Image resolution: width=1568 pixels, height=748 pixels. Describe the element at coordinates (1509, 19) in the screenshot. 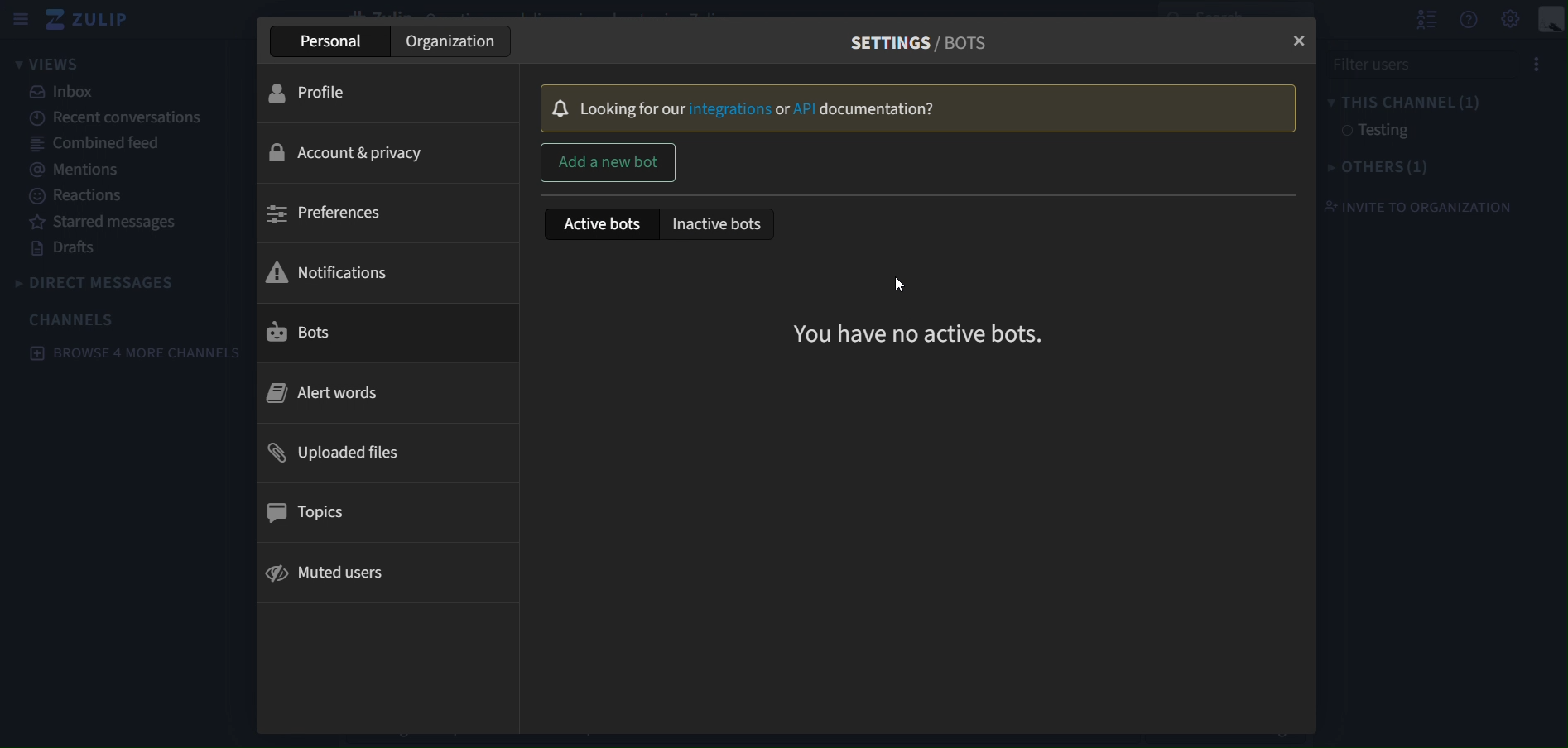

I see `main menu` at that location.